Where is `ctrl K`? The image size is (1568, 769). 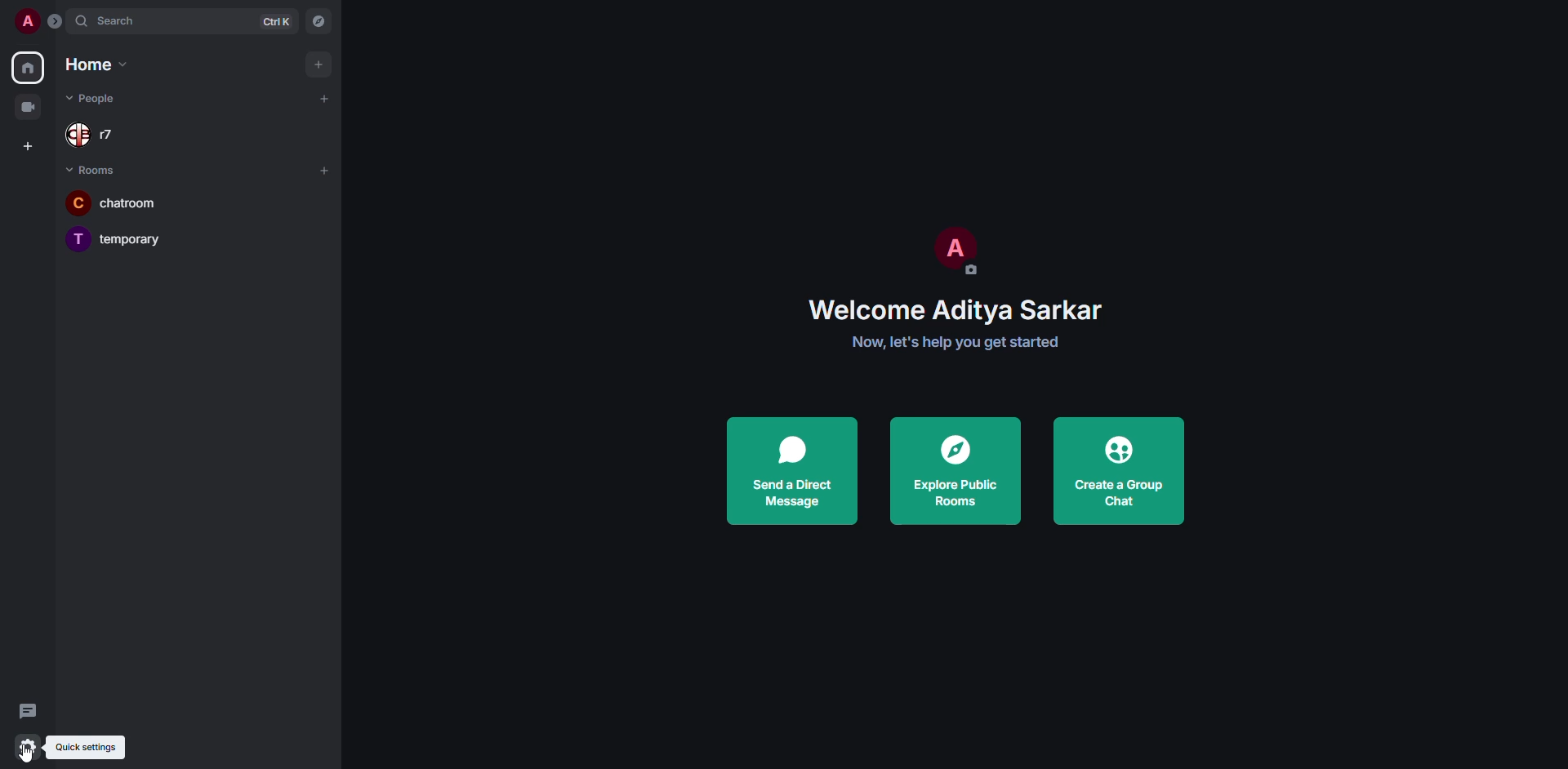 ctrl K is located at coordinates (276, 21).